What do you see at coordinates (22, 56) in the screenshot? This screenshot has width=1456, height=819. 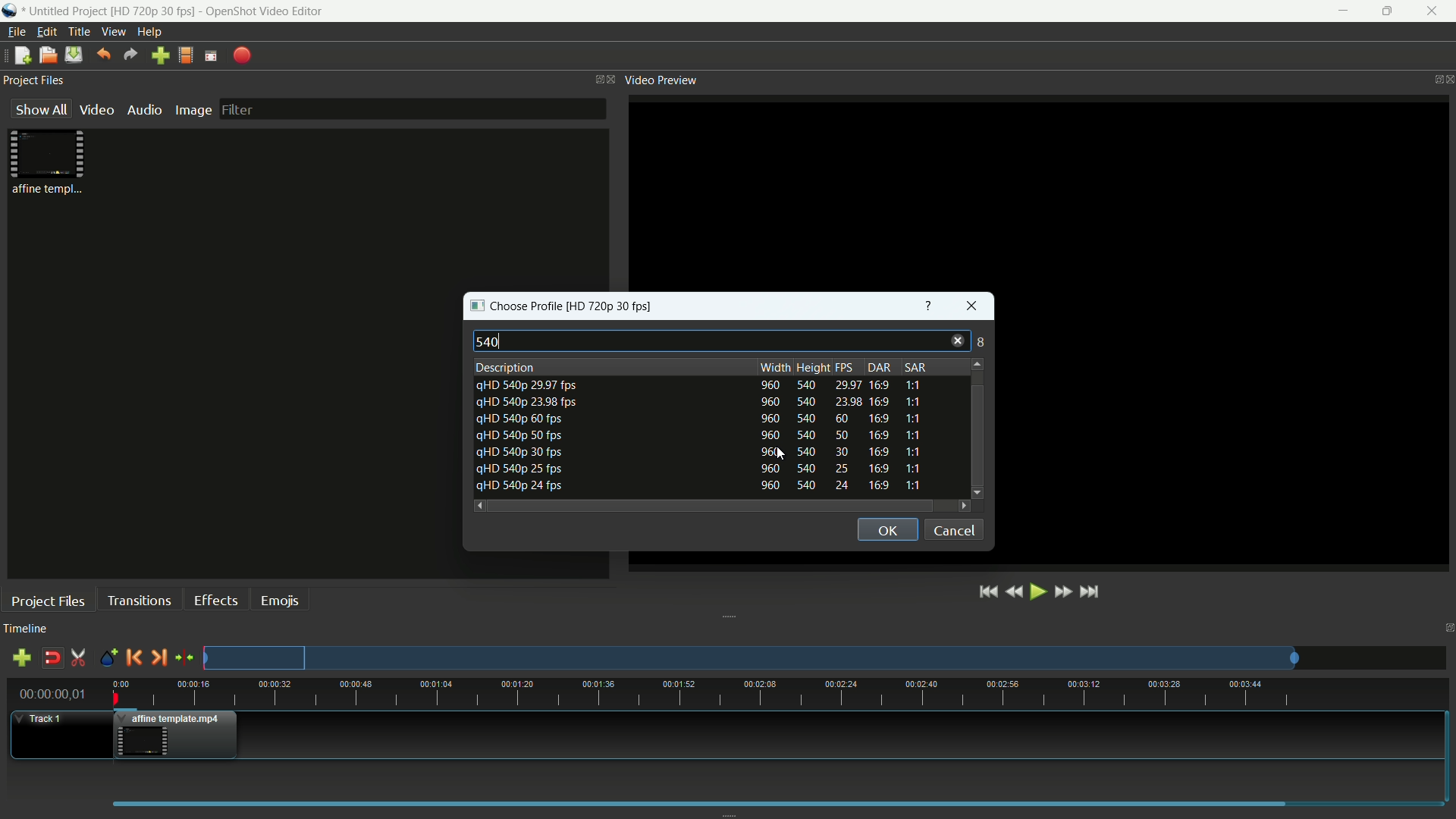 I see `new file` at bounding box center [22, 56].